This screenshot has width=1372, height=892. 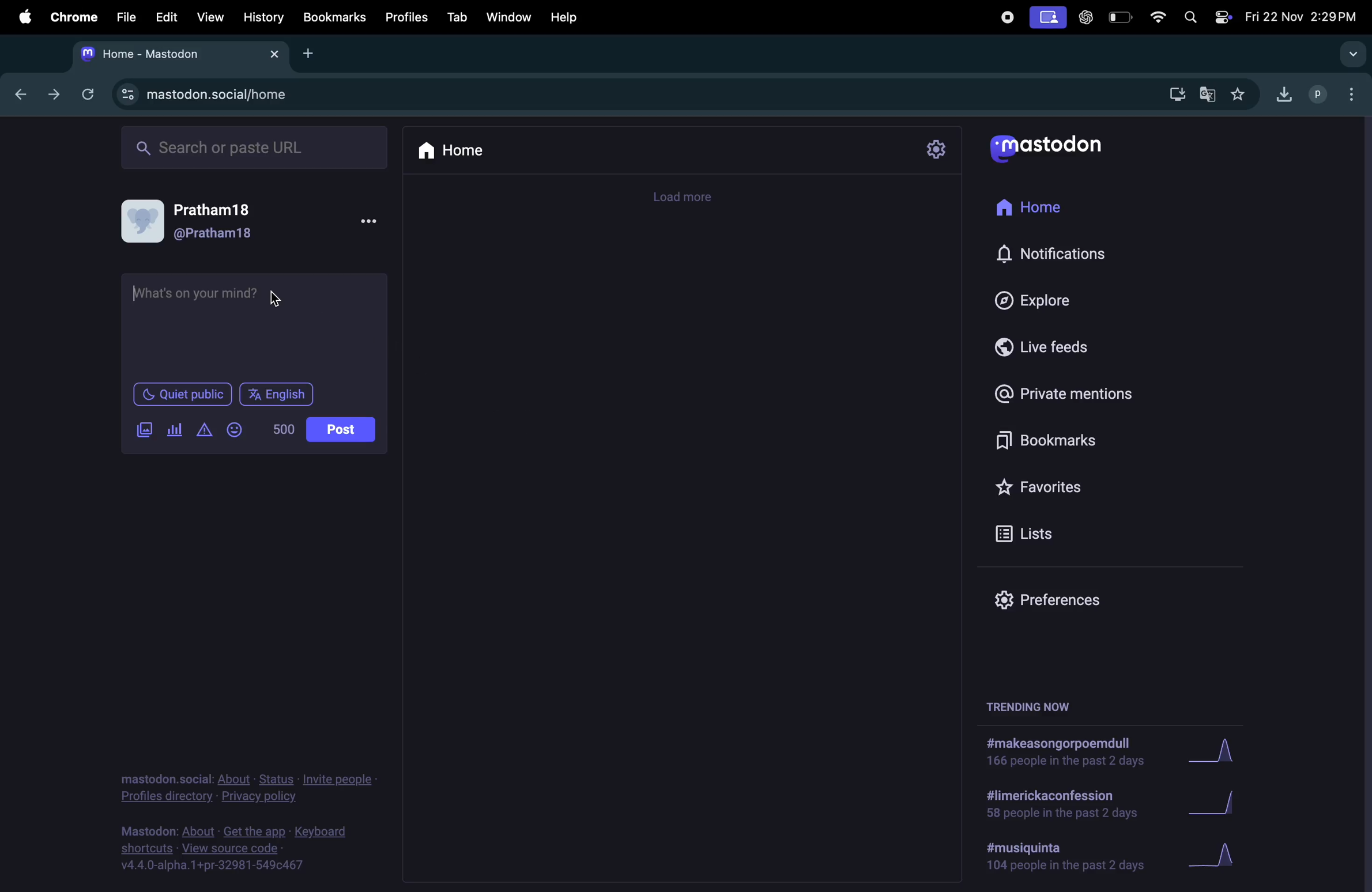 What do you see at coordinates (184, 395) in the screenshot?
I see `quiet public` at bounding box center [184, 395].